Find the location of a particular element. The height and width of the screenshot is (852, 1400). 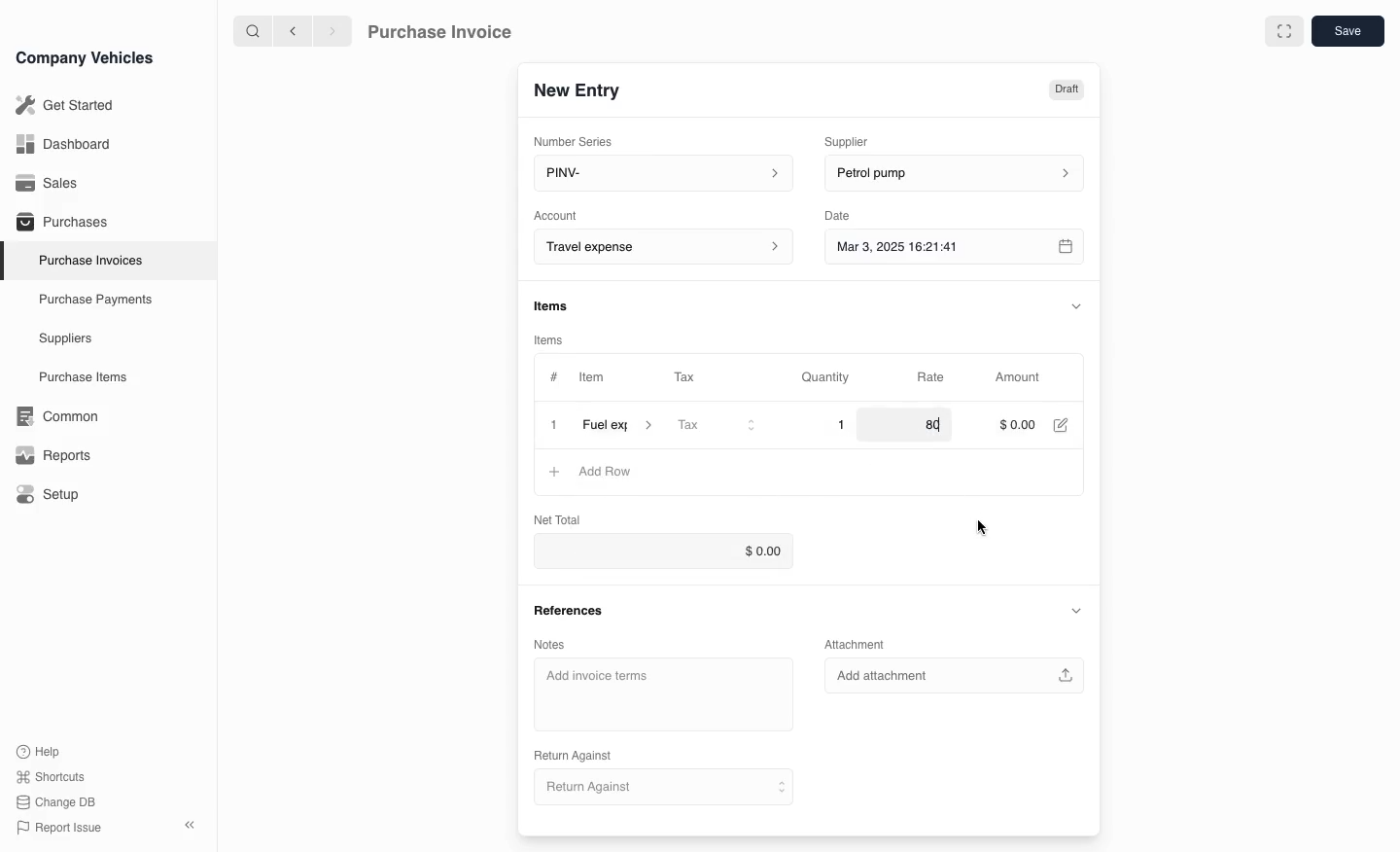

Tax  is located at coordinates (716, 427).